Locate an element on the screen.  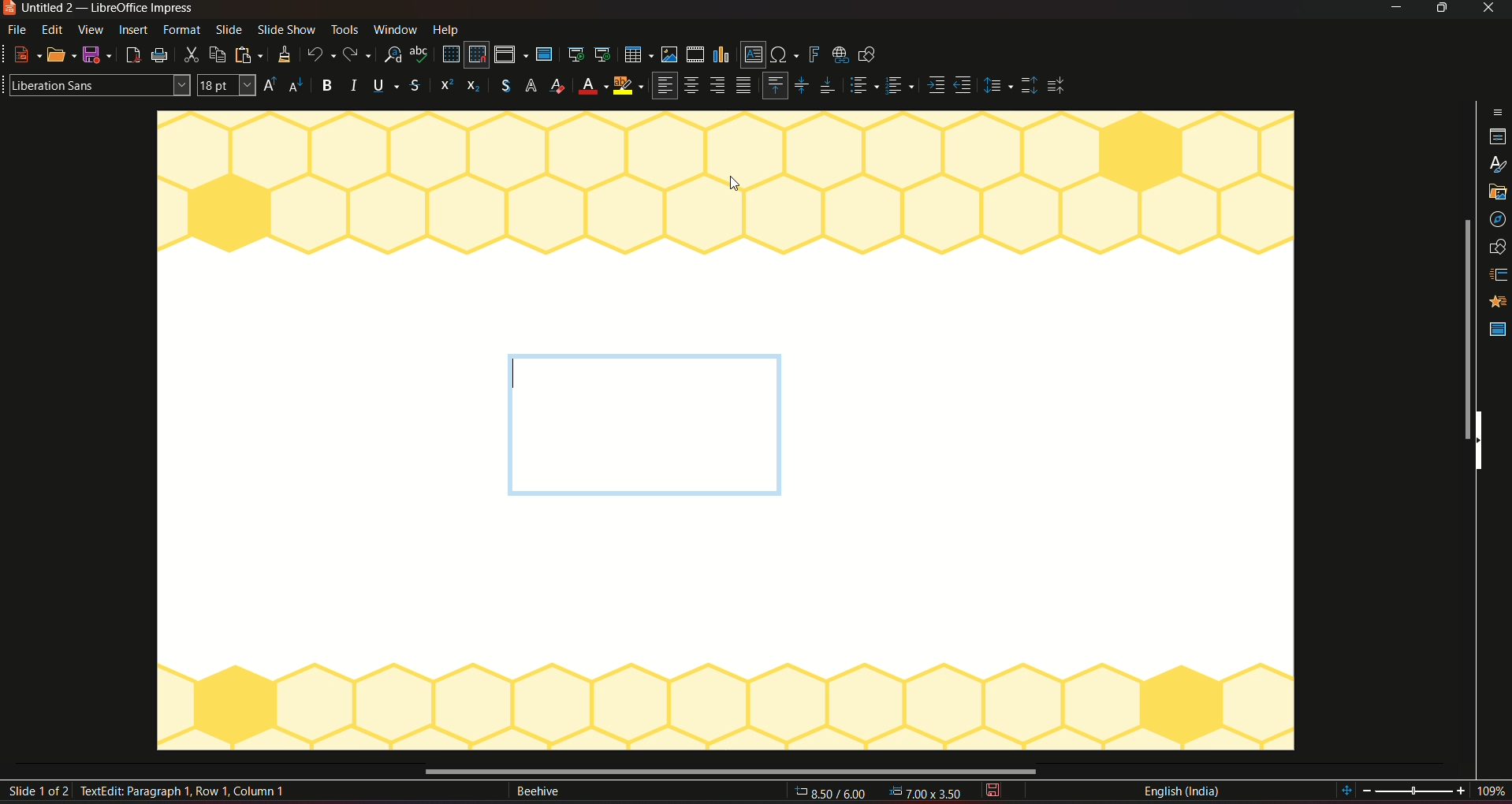
undo is located at coordinates (320, 54).